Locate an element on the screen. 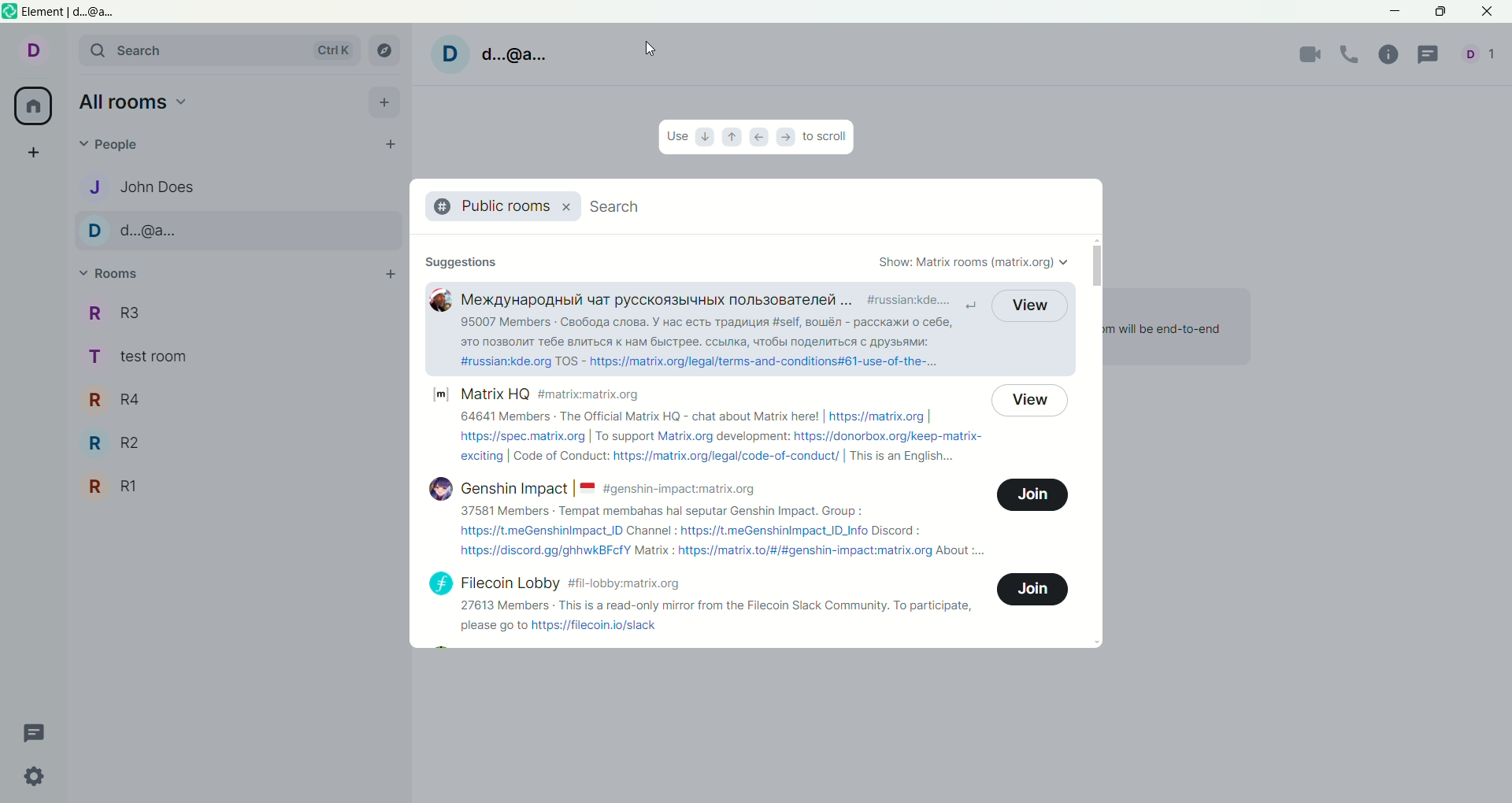 Image resolution: width=1512 pixels, height=803 pixels. Cursor is located at coordinates (650, 49).